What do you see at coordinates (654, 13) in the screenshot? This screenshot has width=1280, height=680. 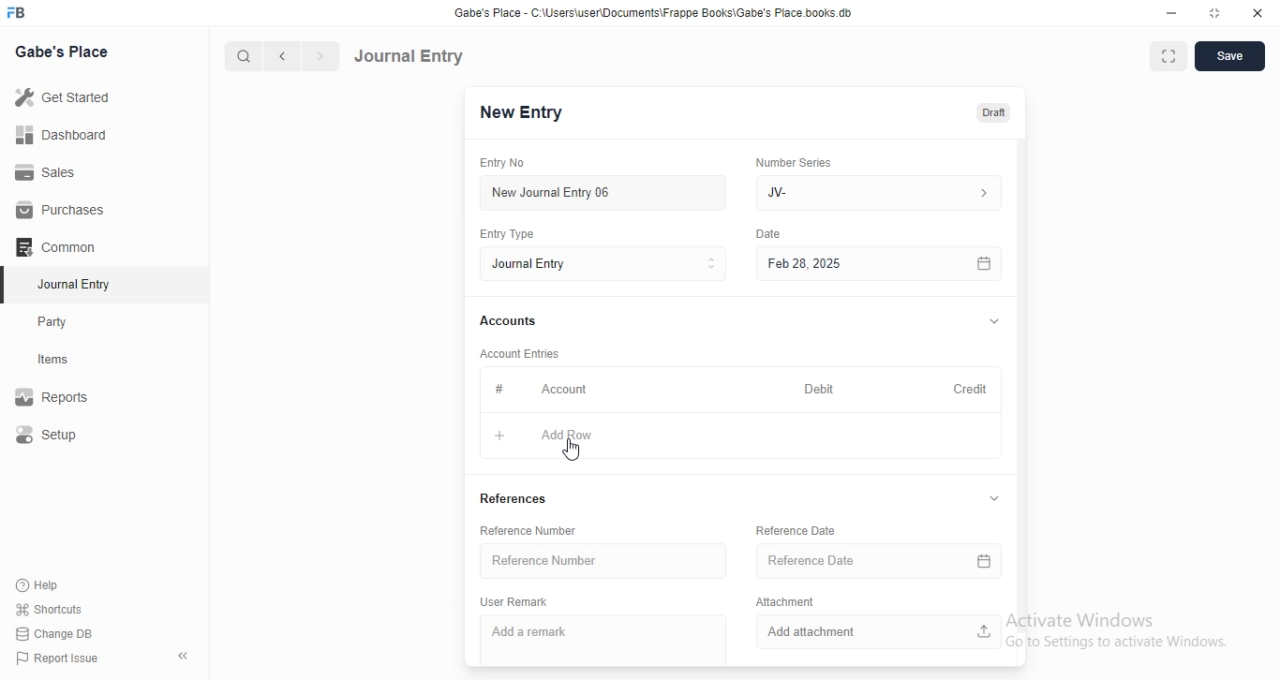 I see `Gabe's Place - C\Users\userDocuments Frappe Books\Gabe's Place books db.` at bounding box center [654, 13].